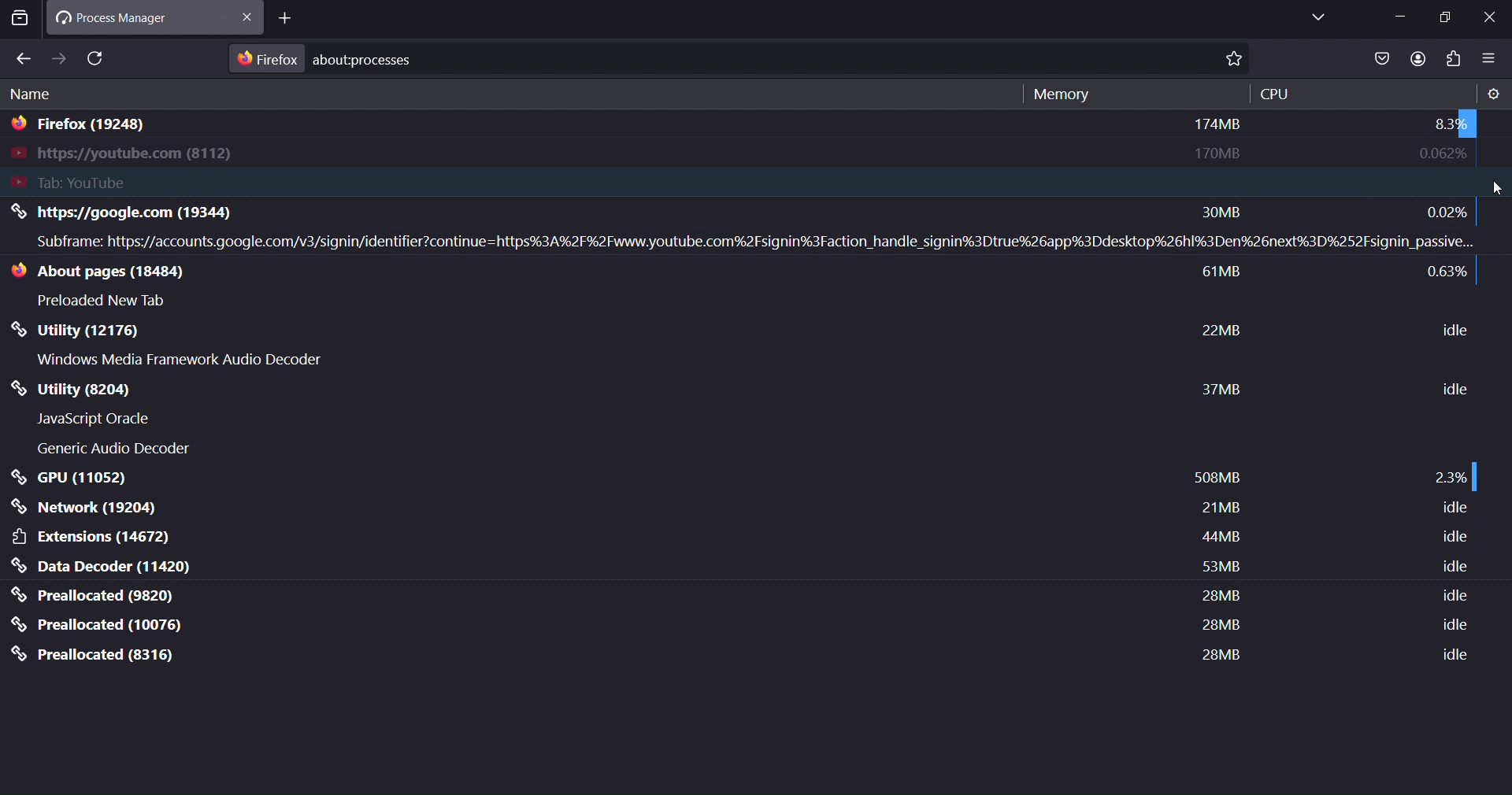 The width and height of the screenshot is (1512, 795). What do you see at coordinates (1228, 210) in the screenshot?
I see `30 mb` at bounding box center [1228, 210].